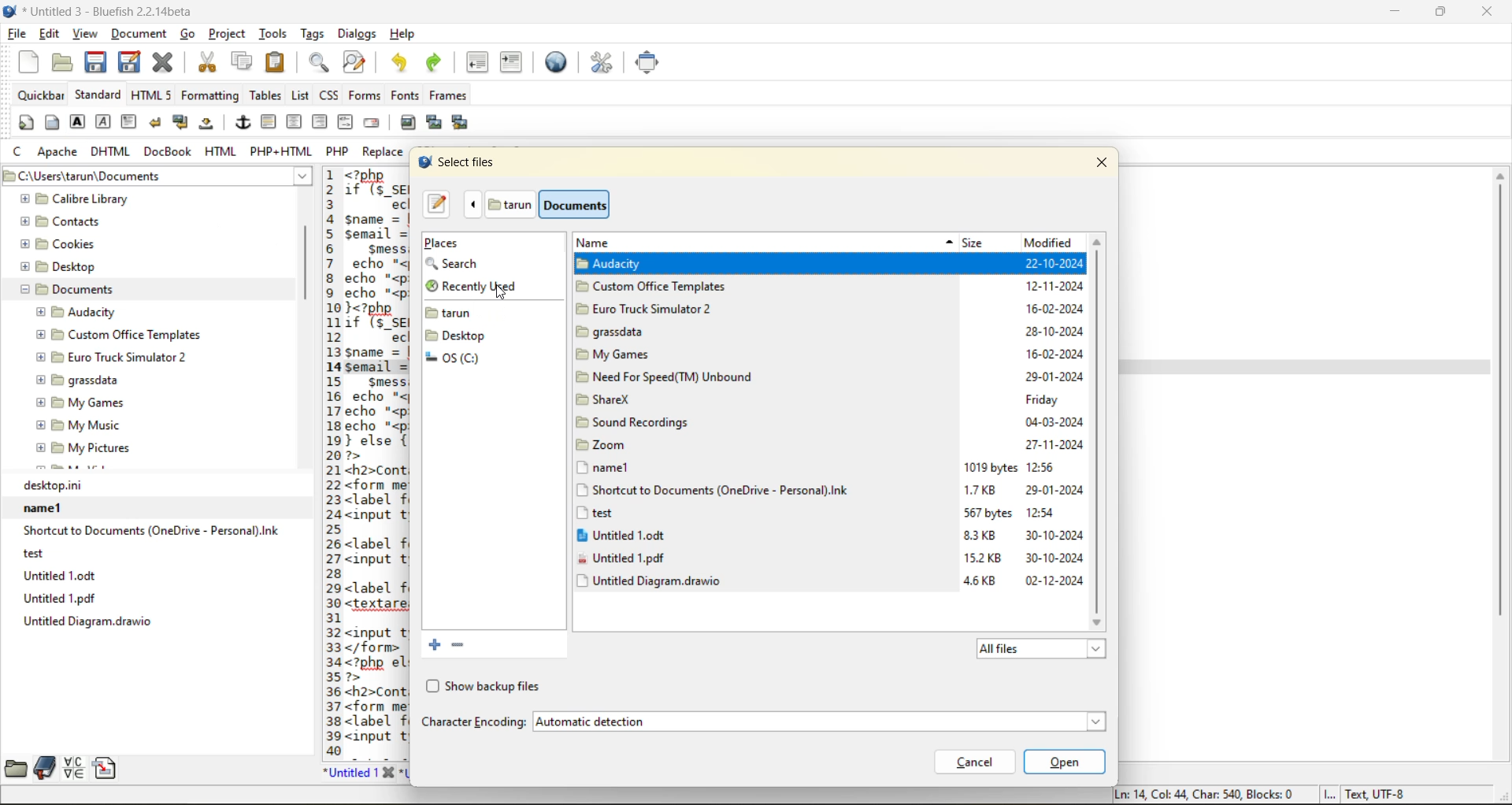  What do you see at coordinates (1500, 463) in the screenshot?
I see `vertical scrollbar` at bounding box center [1500, 463].